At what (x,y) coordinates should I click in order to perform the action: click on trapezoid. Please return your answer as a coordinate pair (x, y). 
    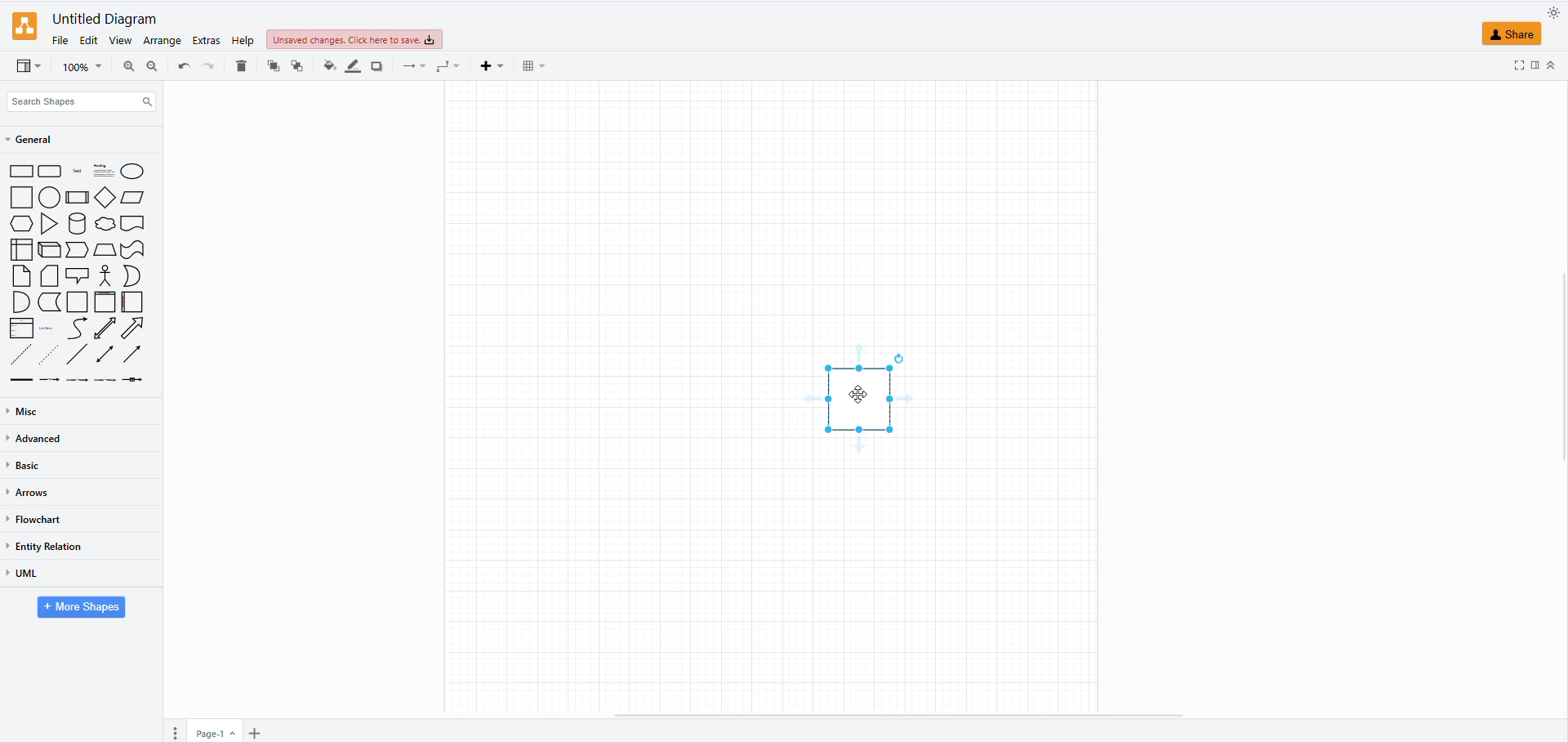
    Looking at the image, I should click on (105, 251).